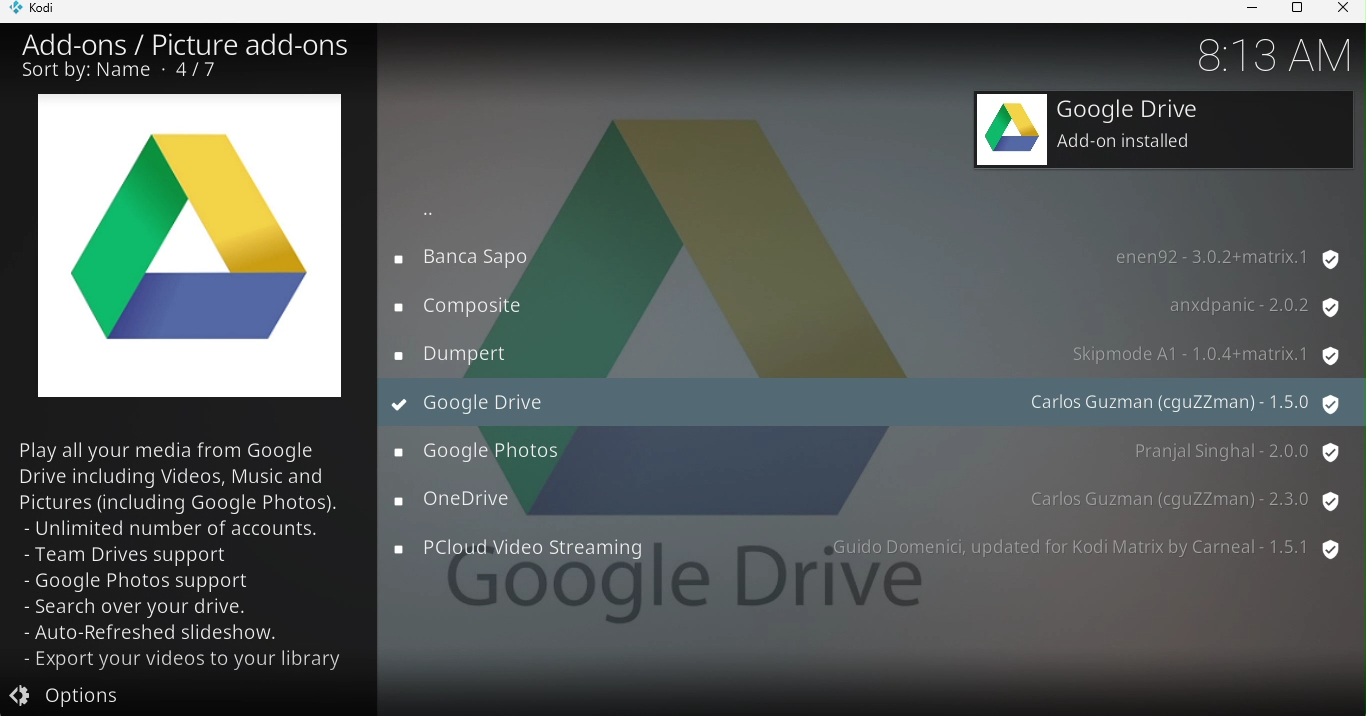 The width and height of the screenshot is (1366, 716). What do you see at coordinates (874, 400) in the screenshot?
I see `Google drive` at bounding box center [874, 400].